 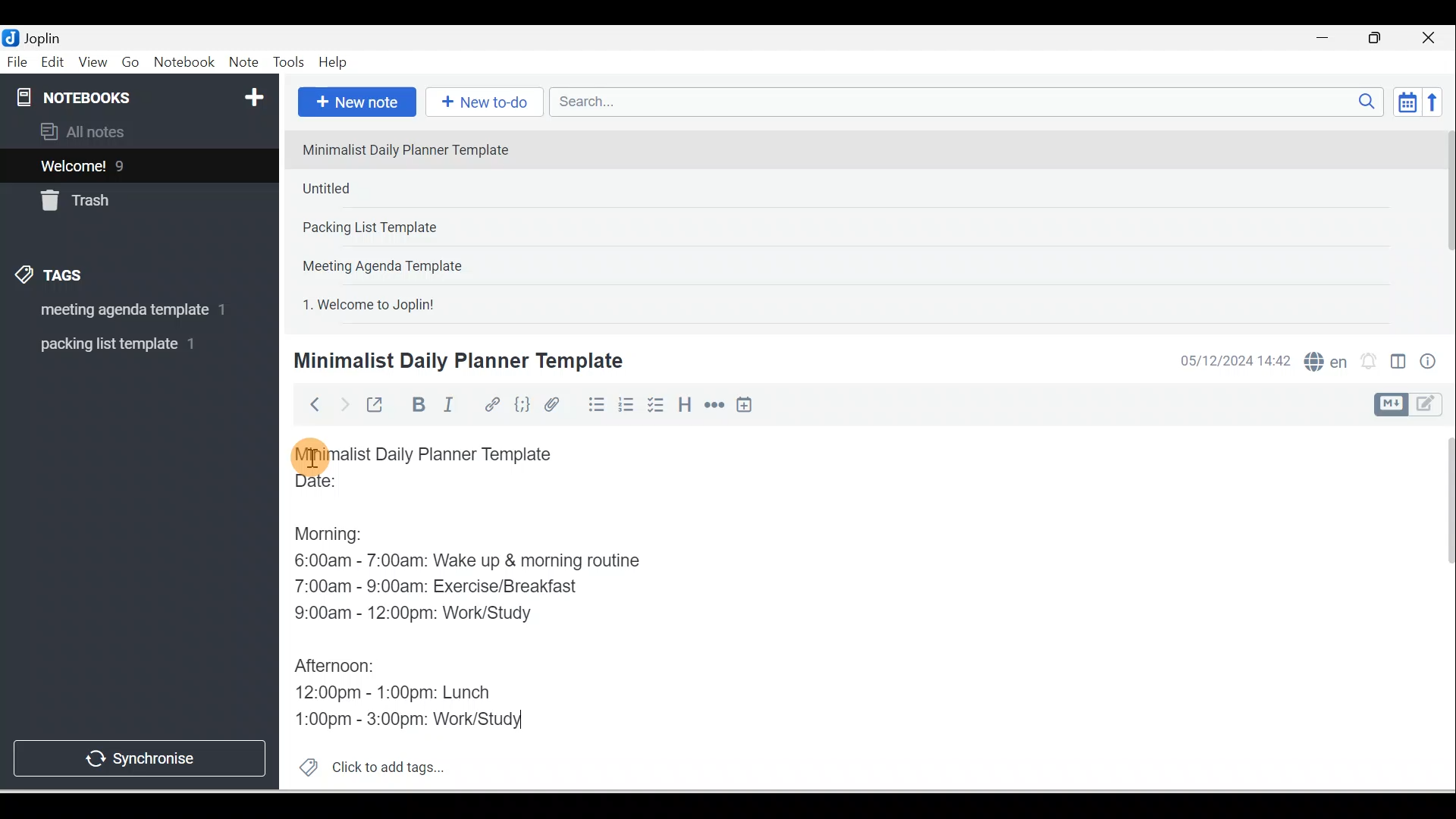 I want to click on Toggle external editing, so click(x=377, y=408).